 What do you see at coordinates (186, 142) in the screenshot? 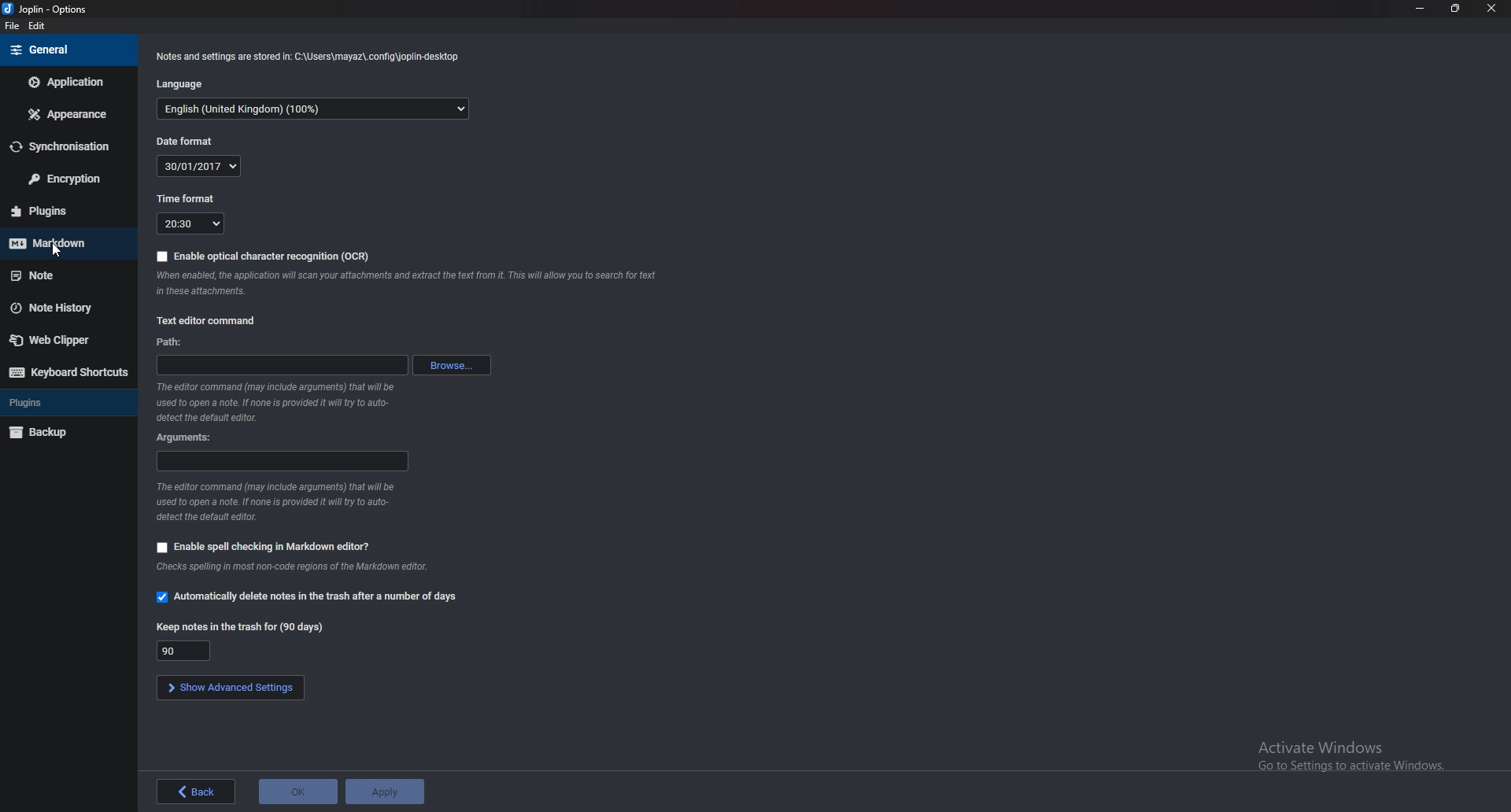
I see `Date format` at bounding box center [186, 142].